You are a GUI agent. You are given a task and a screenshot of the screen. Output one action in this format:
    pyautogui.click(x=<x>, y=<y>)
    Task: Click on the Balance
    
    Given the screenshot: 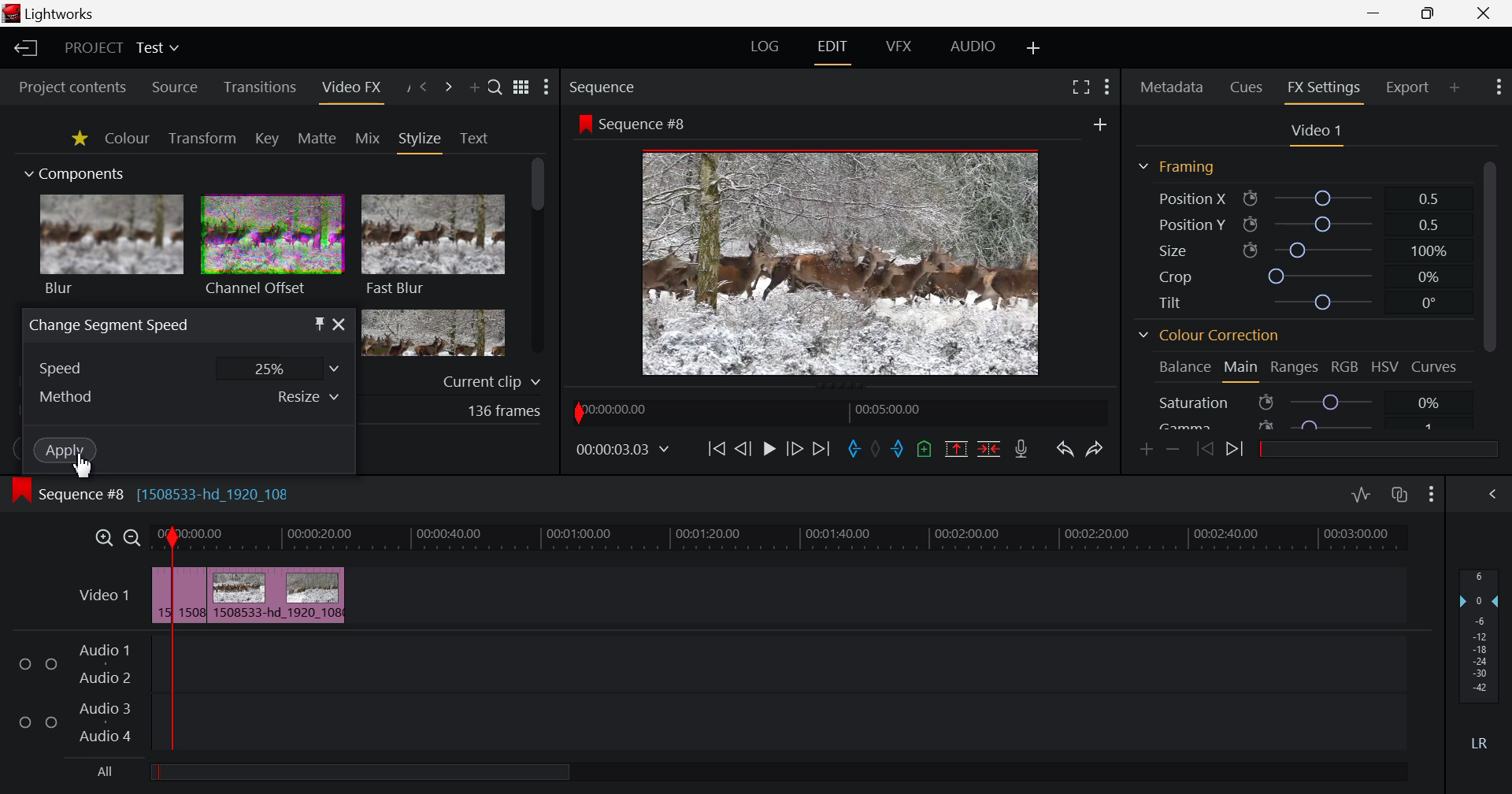 What is the action you would take?
    pyautogui.click(x=1183, y=369)
    